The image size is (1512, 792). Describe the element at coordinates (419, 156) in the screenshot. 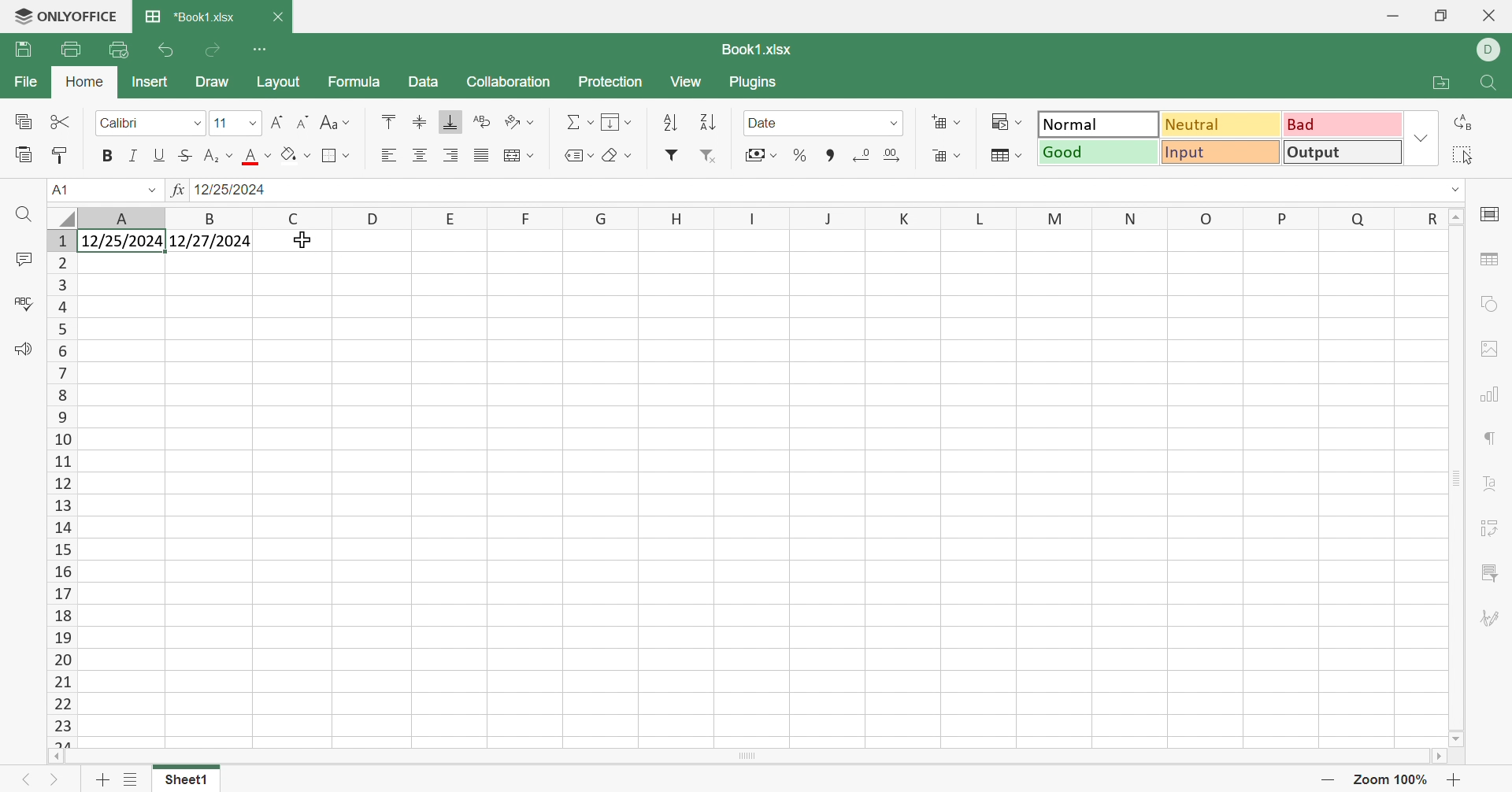

I see `Align center` at that location.